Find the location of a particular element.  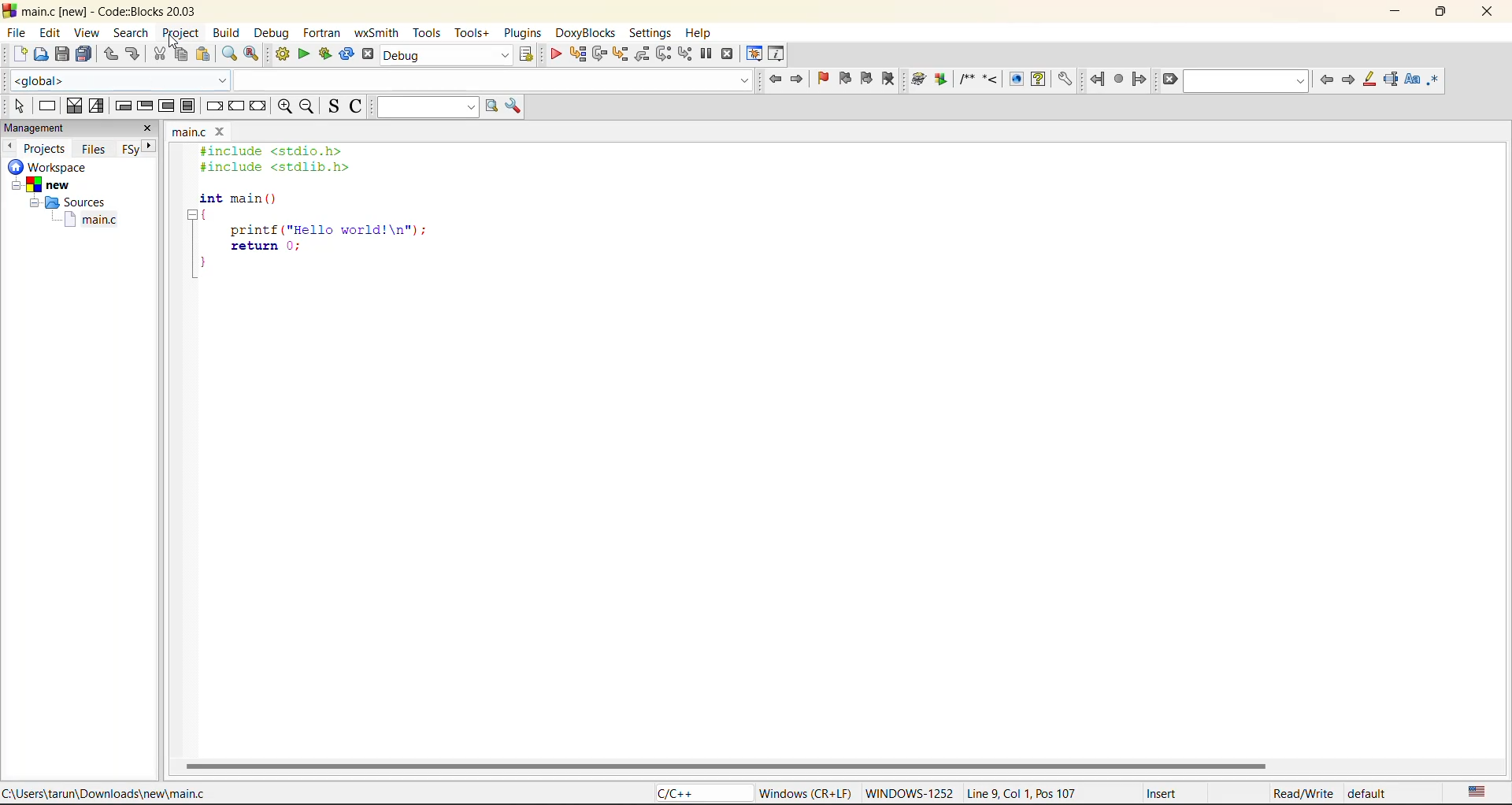

close is located at coordinates (1488, 10).